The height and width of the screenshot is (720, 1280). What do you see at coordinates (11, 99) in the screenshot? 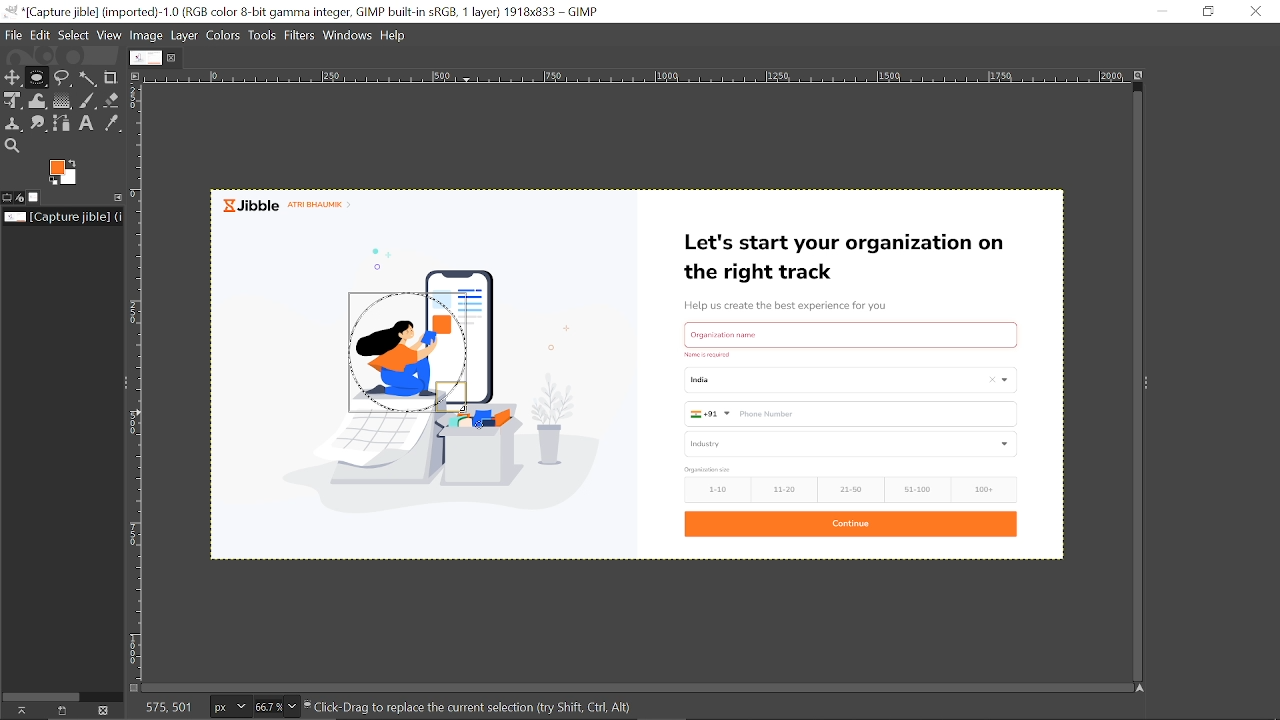
I see `Unified transform tool` at bounding box center [11, 99].